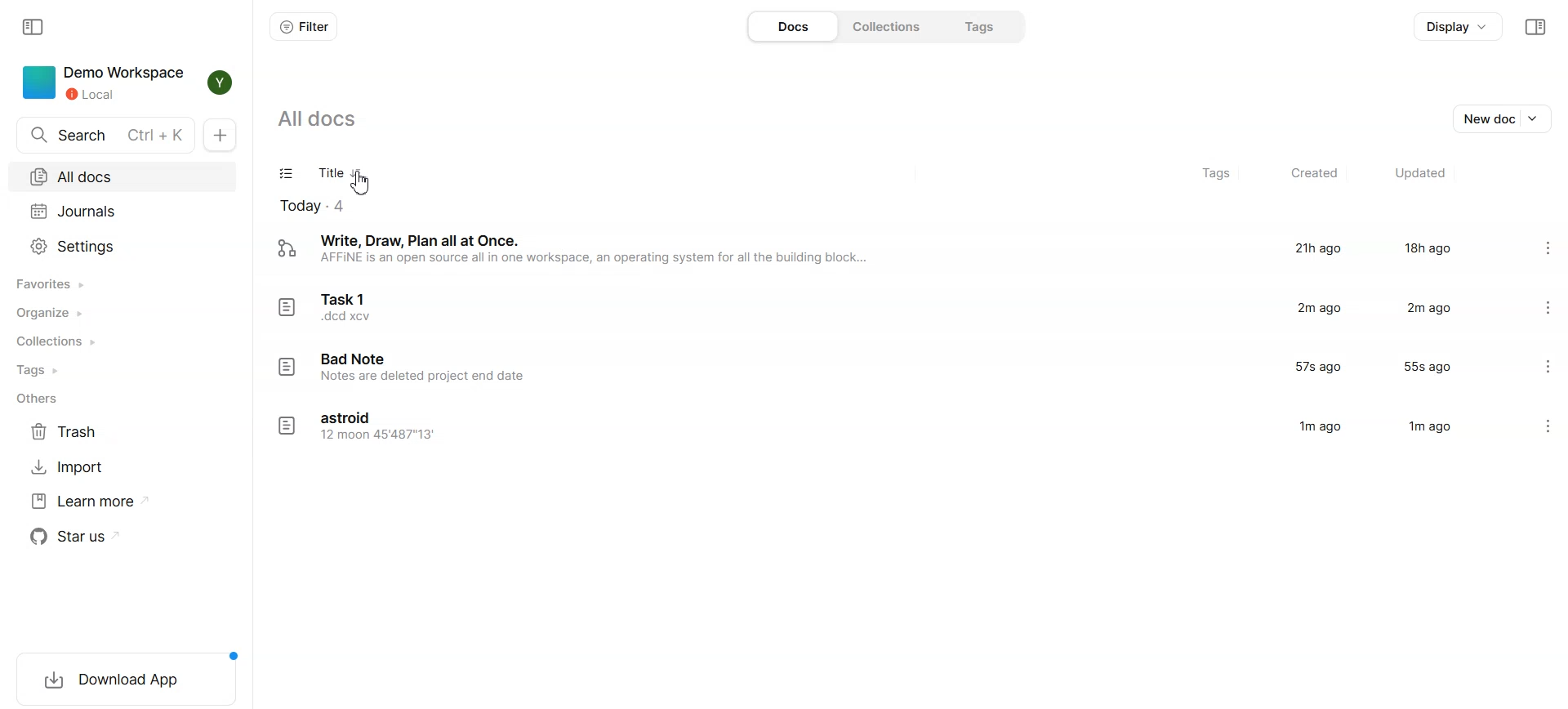 The height and width of the screenshot is (709, 1568). What do you see at coordinates (33, 27) in the screenshot?
I see `Collapse sidebar` at bounding box center [33, 27].